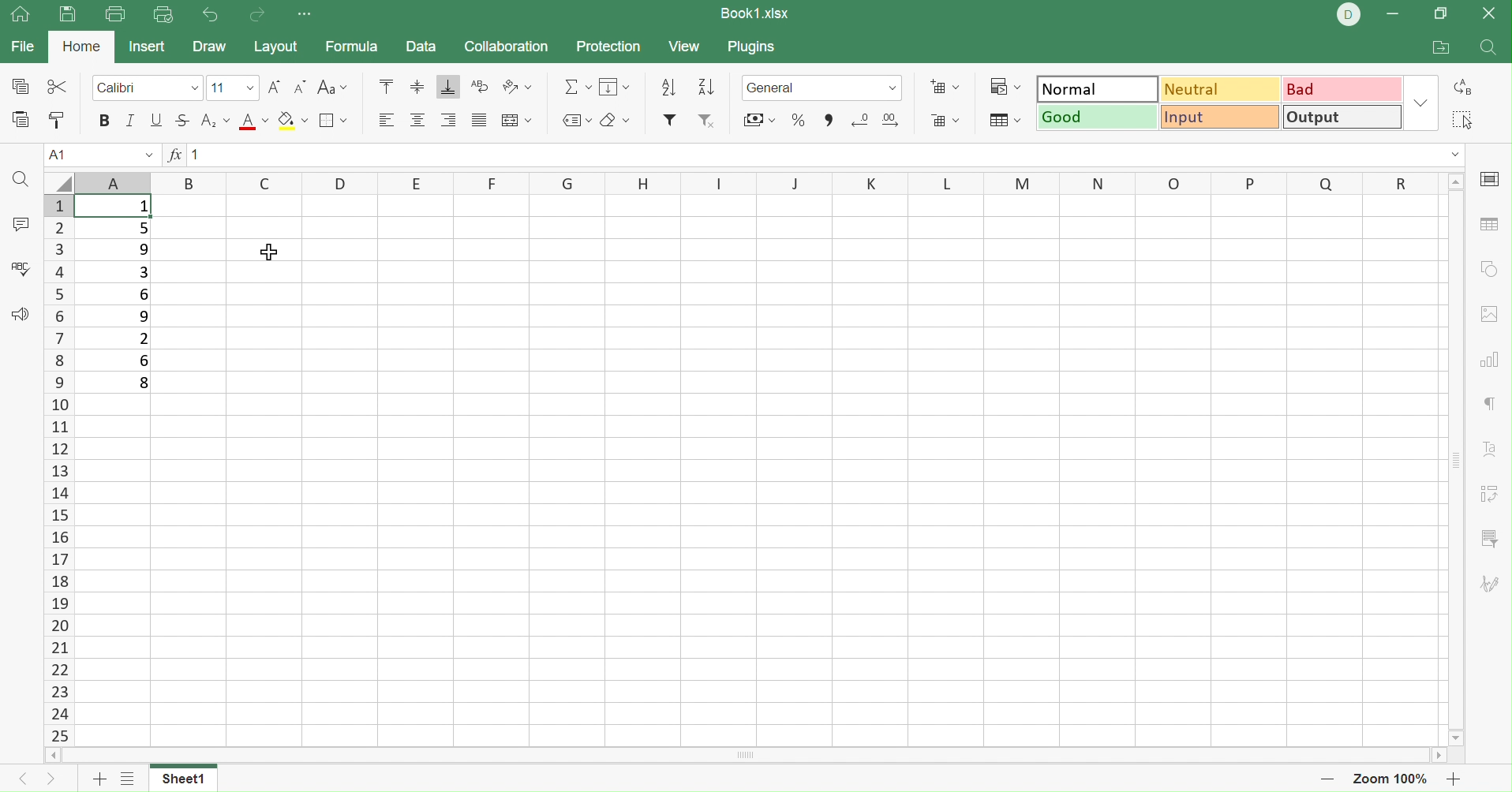  I want to click on Collaboration, so click(507, 46).